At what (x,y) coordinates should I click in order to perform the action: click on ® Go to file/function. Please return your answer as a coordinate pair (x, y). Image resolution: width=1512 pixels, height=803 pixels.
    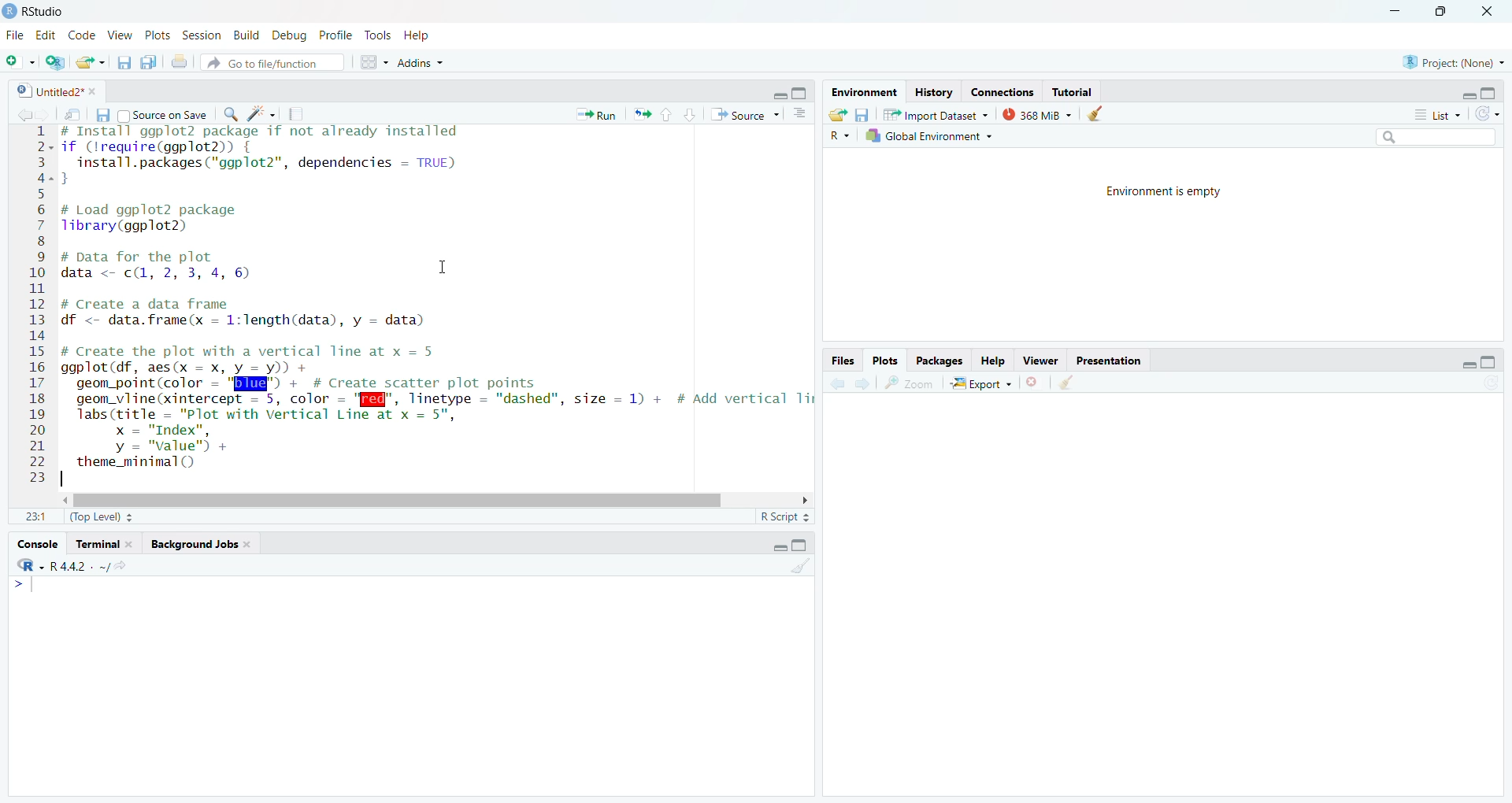
    Looking at the image, I should click on (261, 64).